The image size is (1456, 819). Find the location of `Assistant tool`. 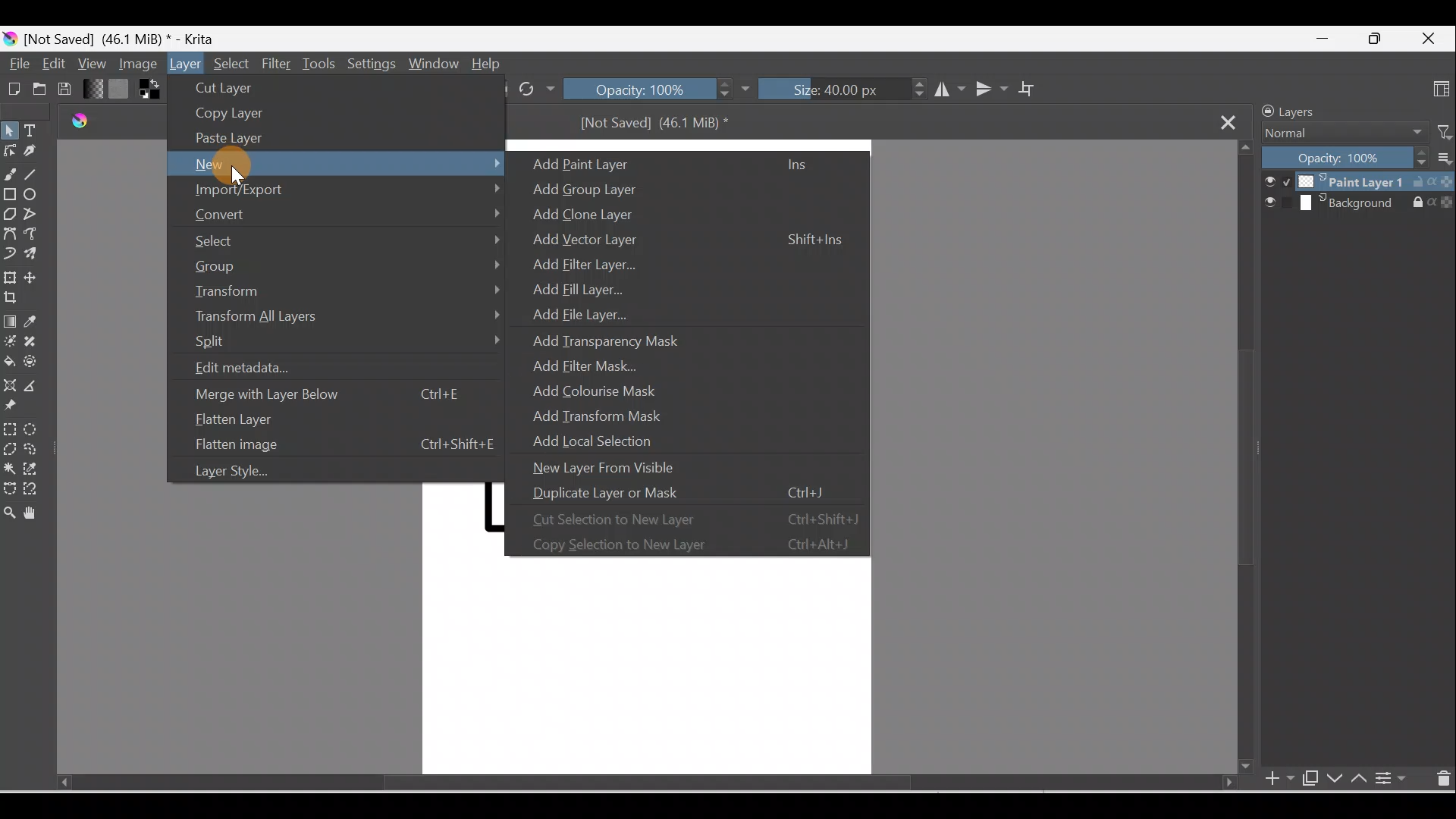

Assistant tool is located at coordinates (11, 384).